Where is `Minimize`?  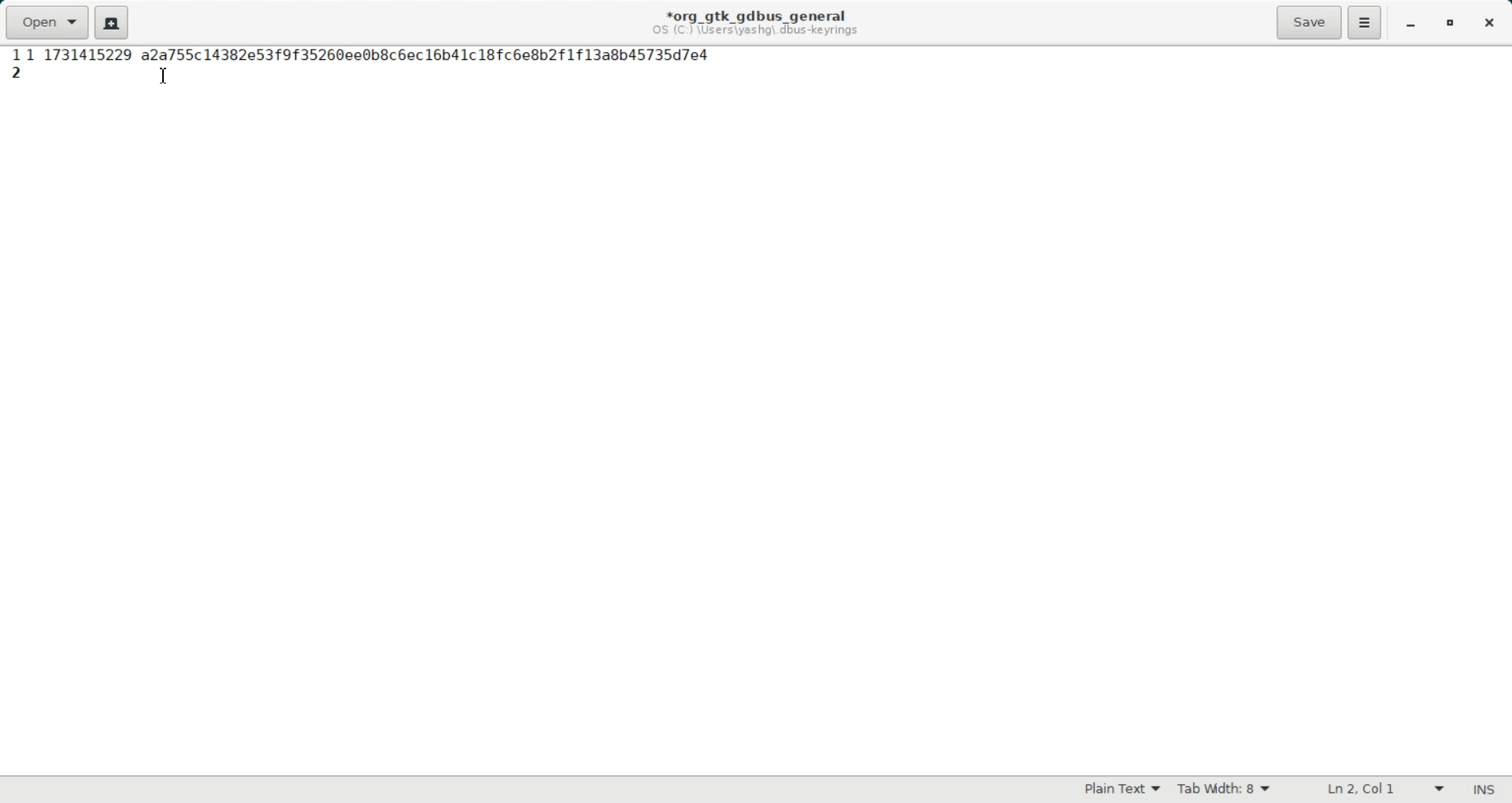 Minimize is located at coordinates (1410, 24).